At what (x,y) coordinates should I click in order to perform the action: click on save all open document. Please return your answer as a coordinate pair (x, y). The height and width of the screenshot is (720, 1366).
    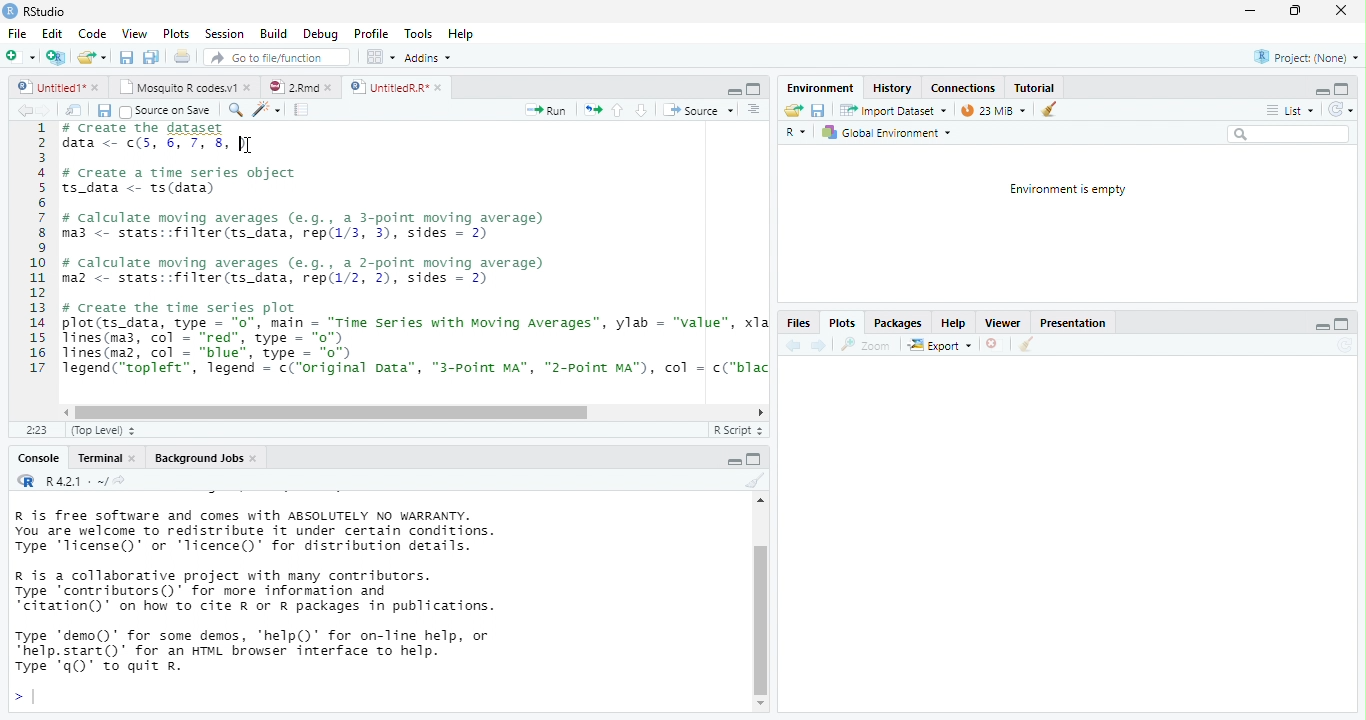
    Looking at the image, I should click on (126, 57).